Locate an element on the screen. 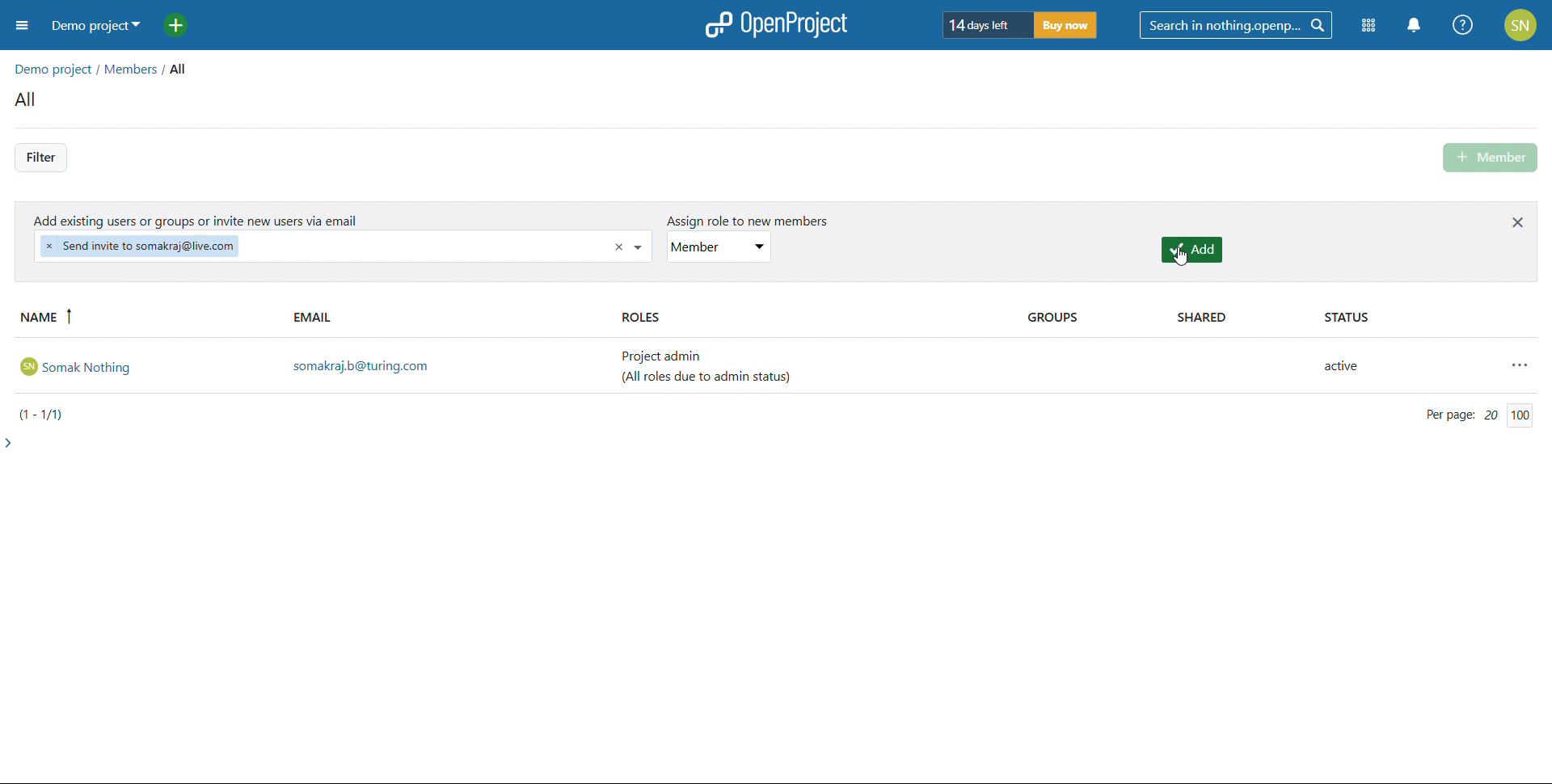  project admin (all roles due to admin status) is located at coordinates (715, 367).